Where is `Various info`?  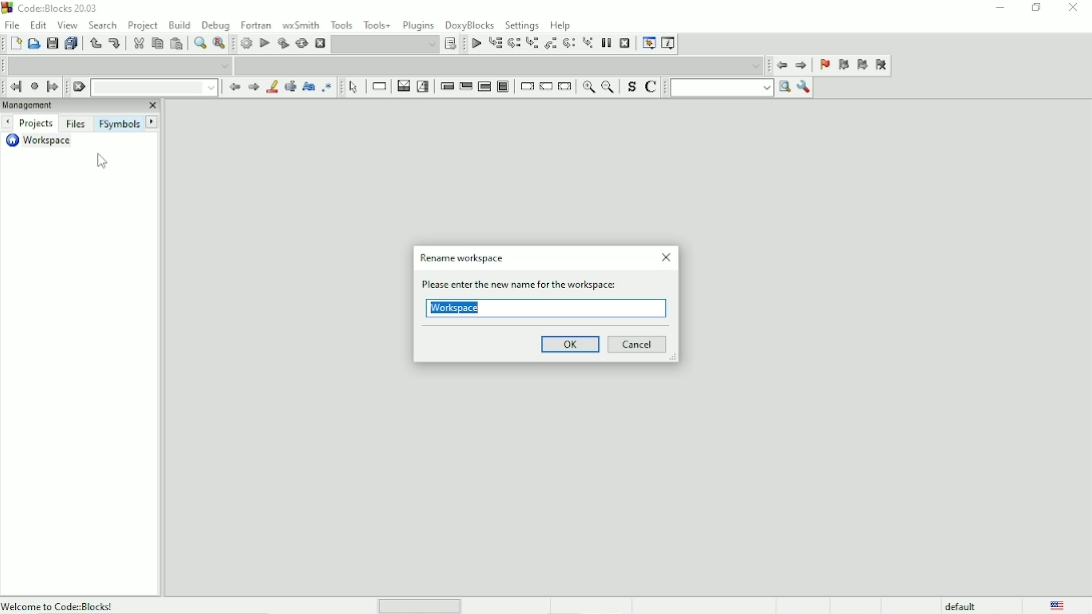
Various info is located at coordinates (668, 44).